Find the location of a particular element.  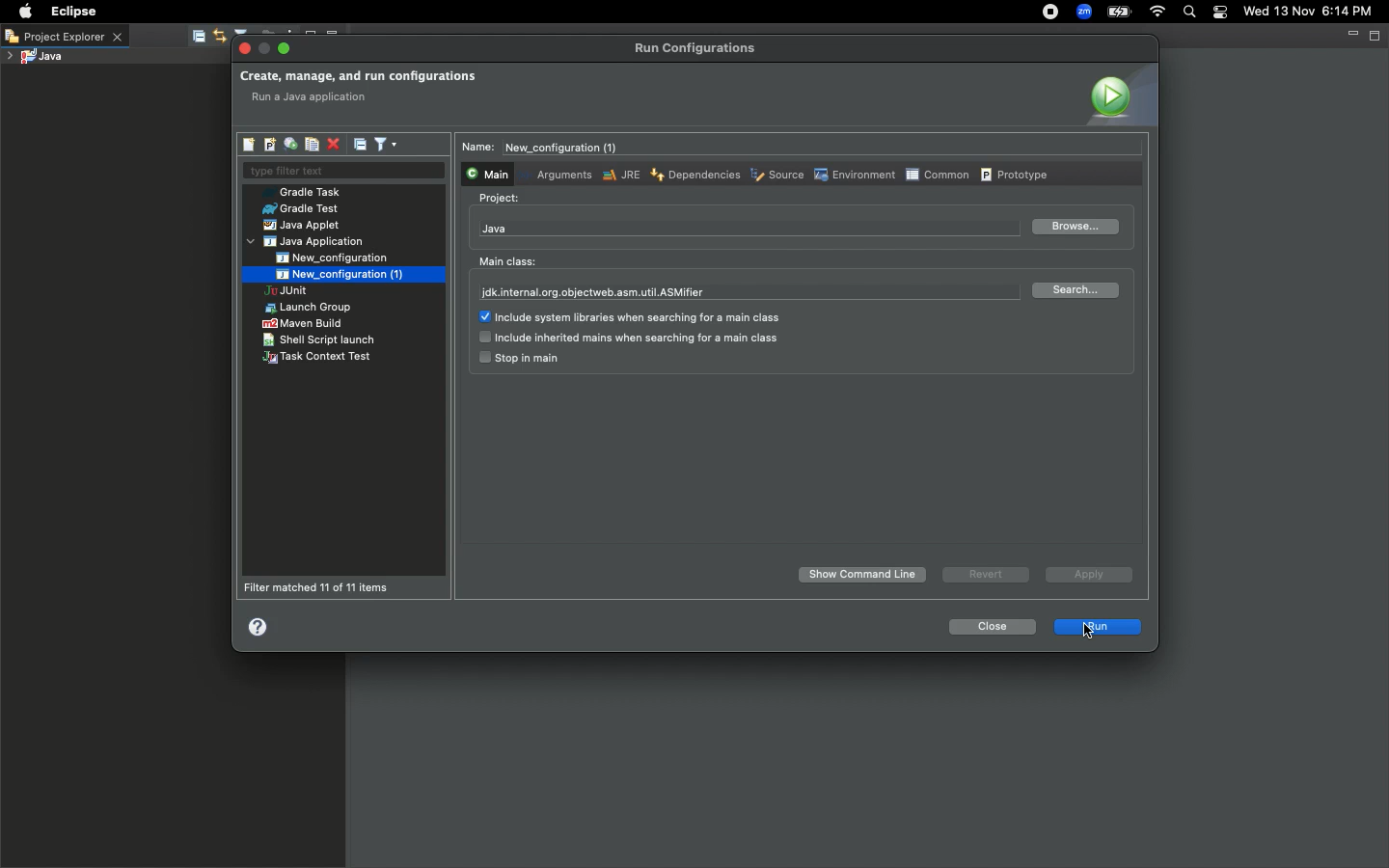

Java applet is located at coordinates (304, 226).